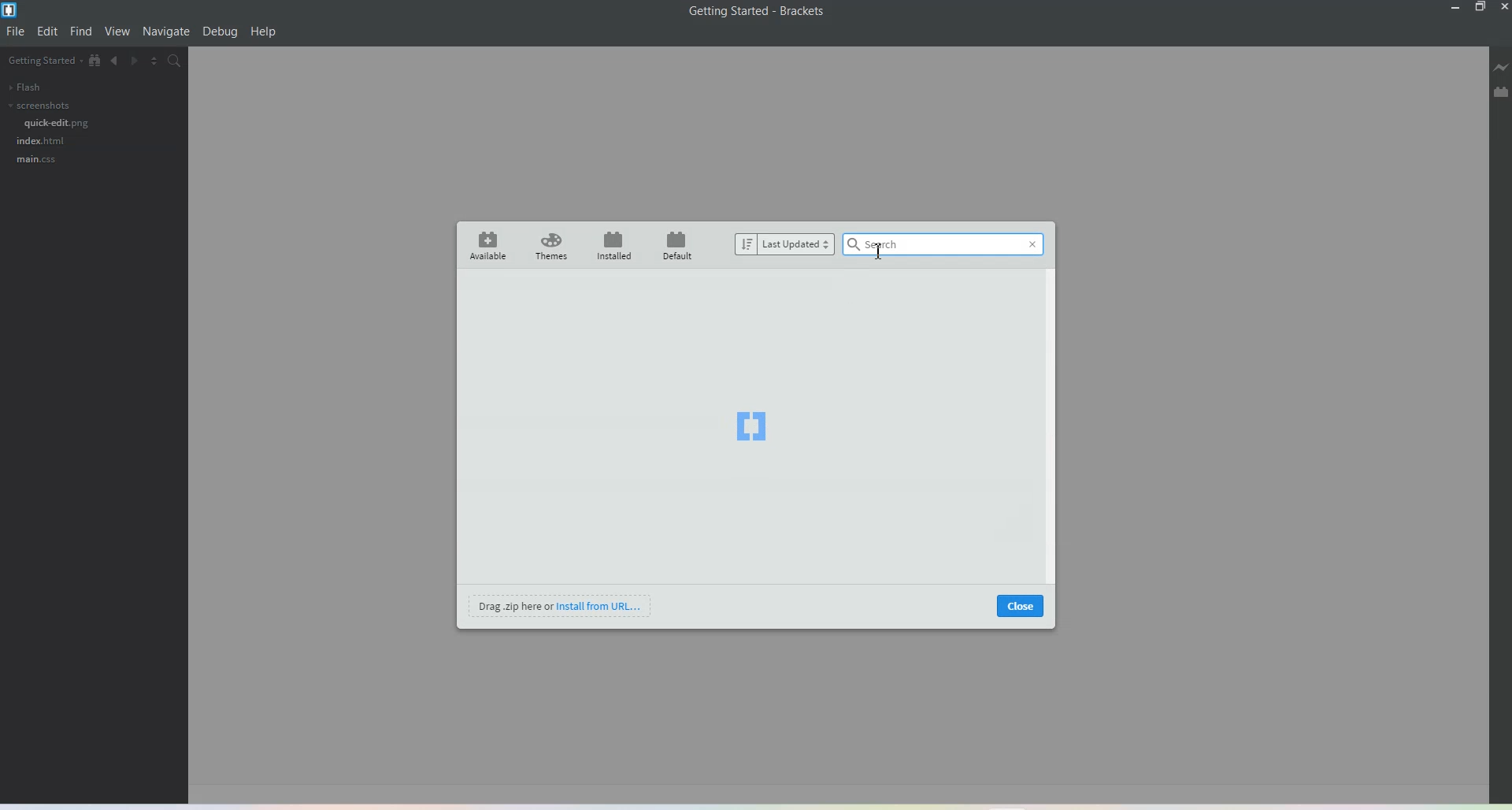  Describe the element at coordinates (43, 61) in the screenshot. I see `Getting Started` at that location.